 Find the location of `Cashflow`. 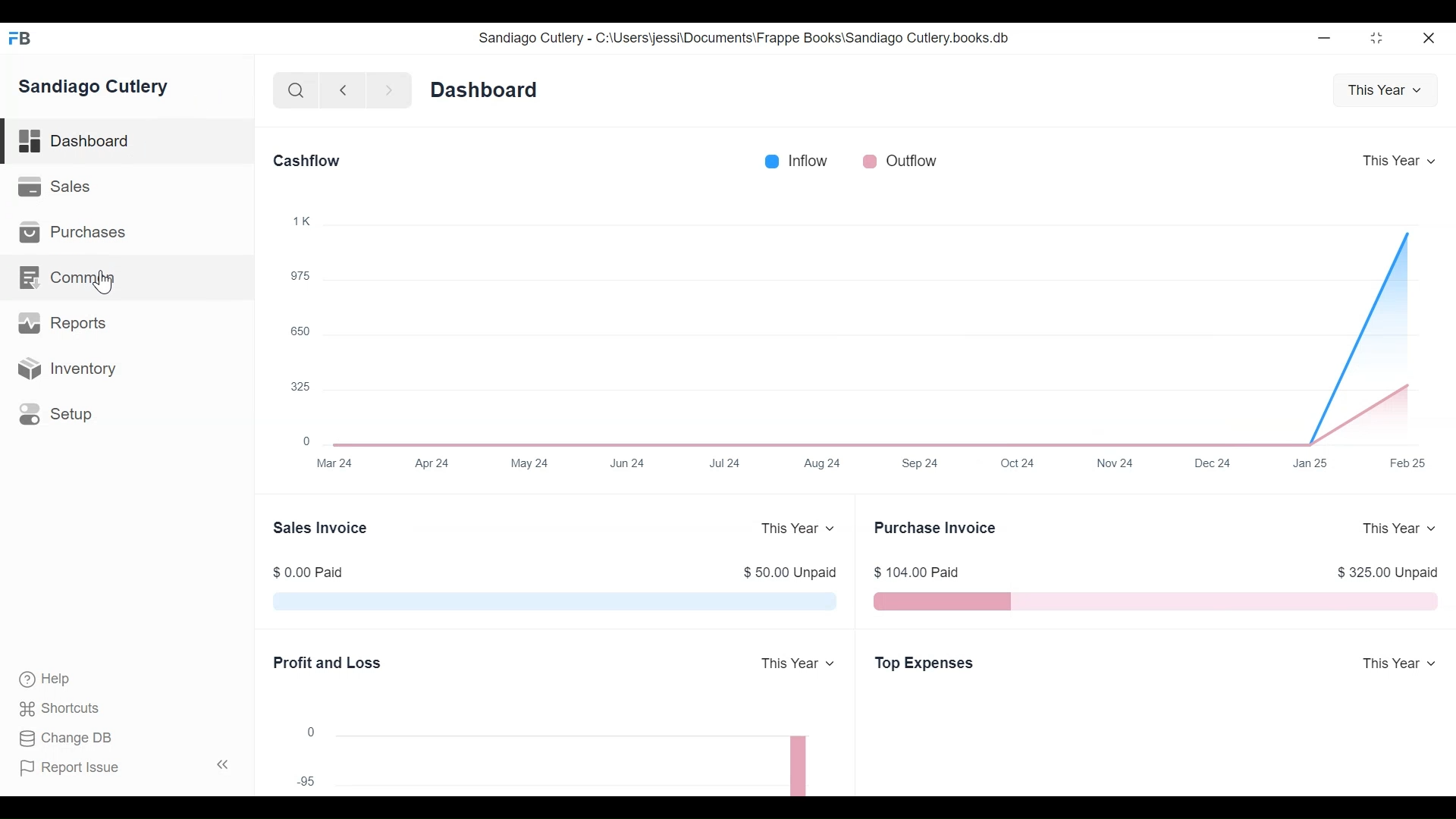

Cashflow is located at coordinates (306, 162).